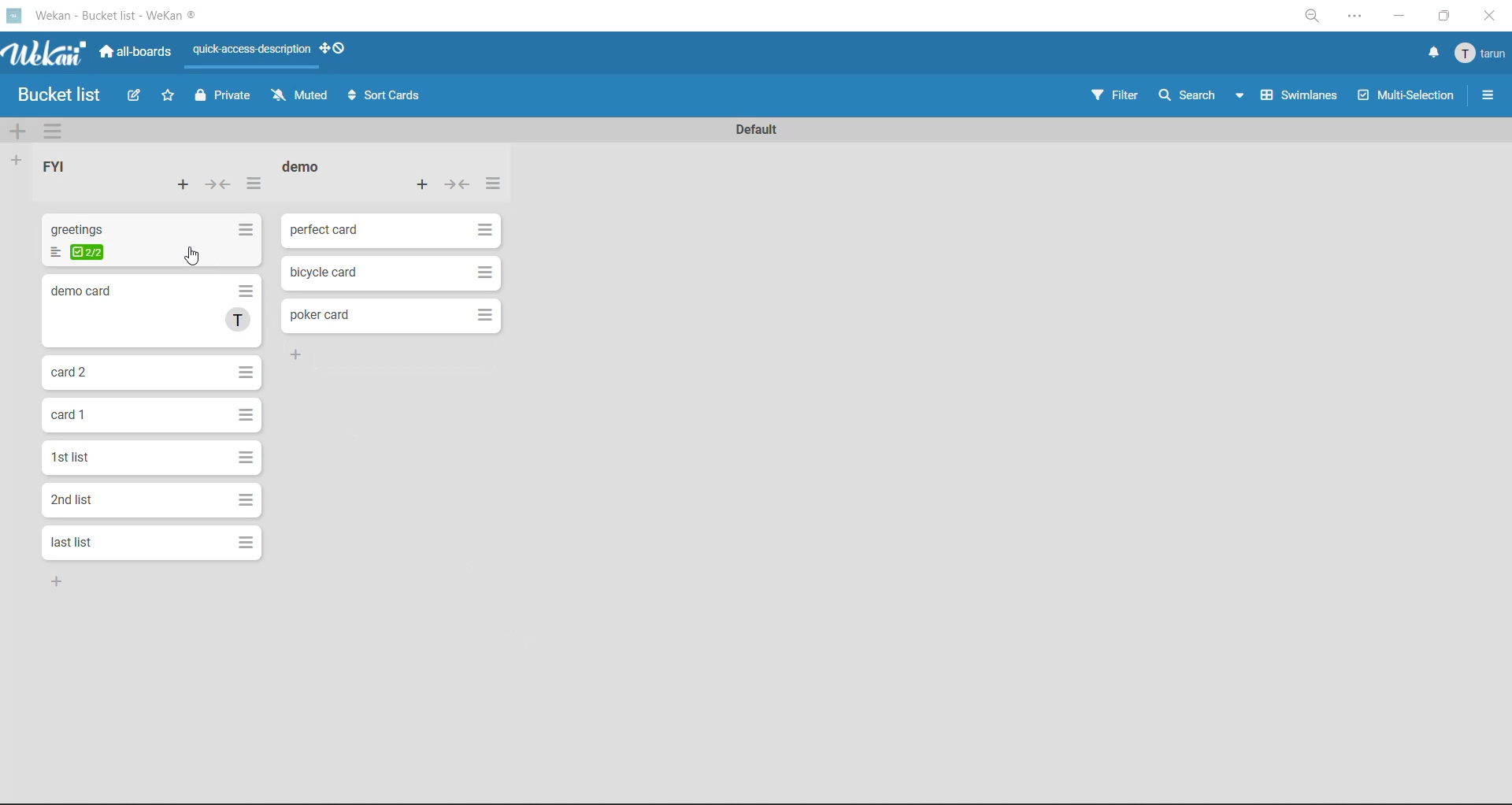  Describe the element at coordinates (14, 161) in the screenshot. I see `add list` at that location.